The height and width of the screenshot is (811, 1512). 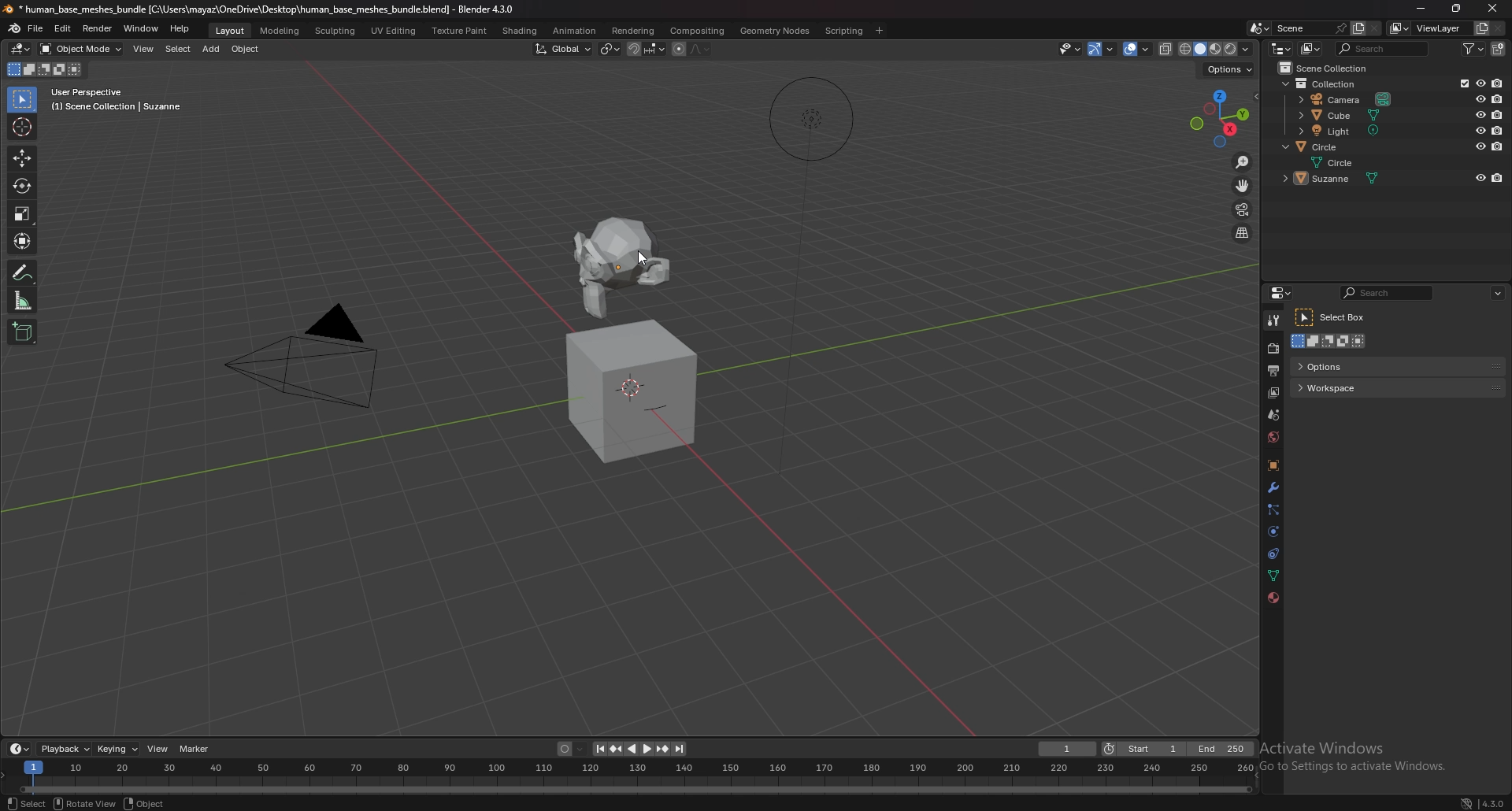 What do you see at coordinates (1310, 49) in the screenshot?
I see `display mode` at bounding box center [1310, 49].